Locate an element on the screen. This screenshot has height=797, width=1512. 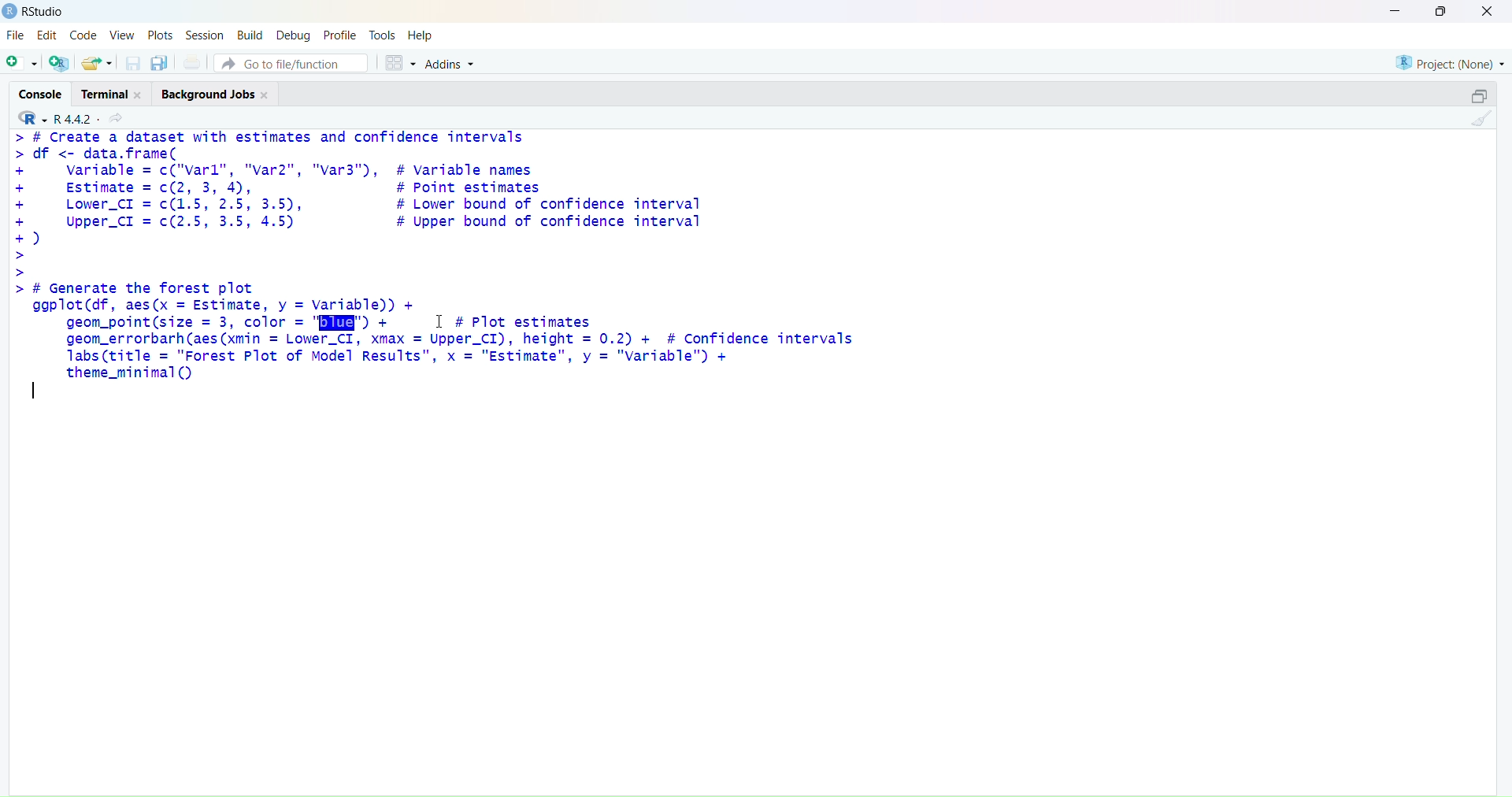
save current document is located at coordinates (132, 61).